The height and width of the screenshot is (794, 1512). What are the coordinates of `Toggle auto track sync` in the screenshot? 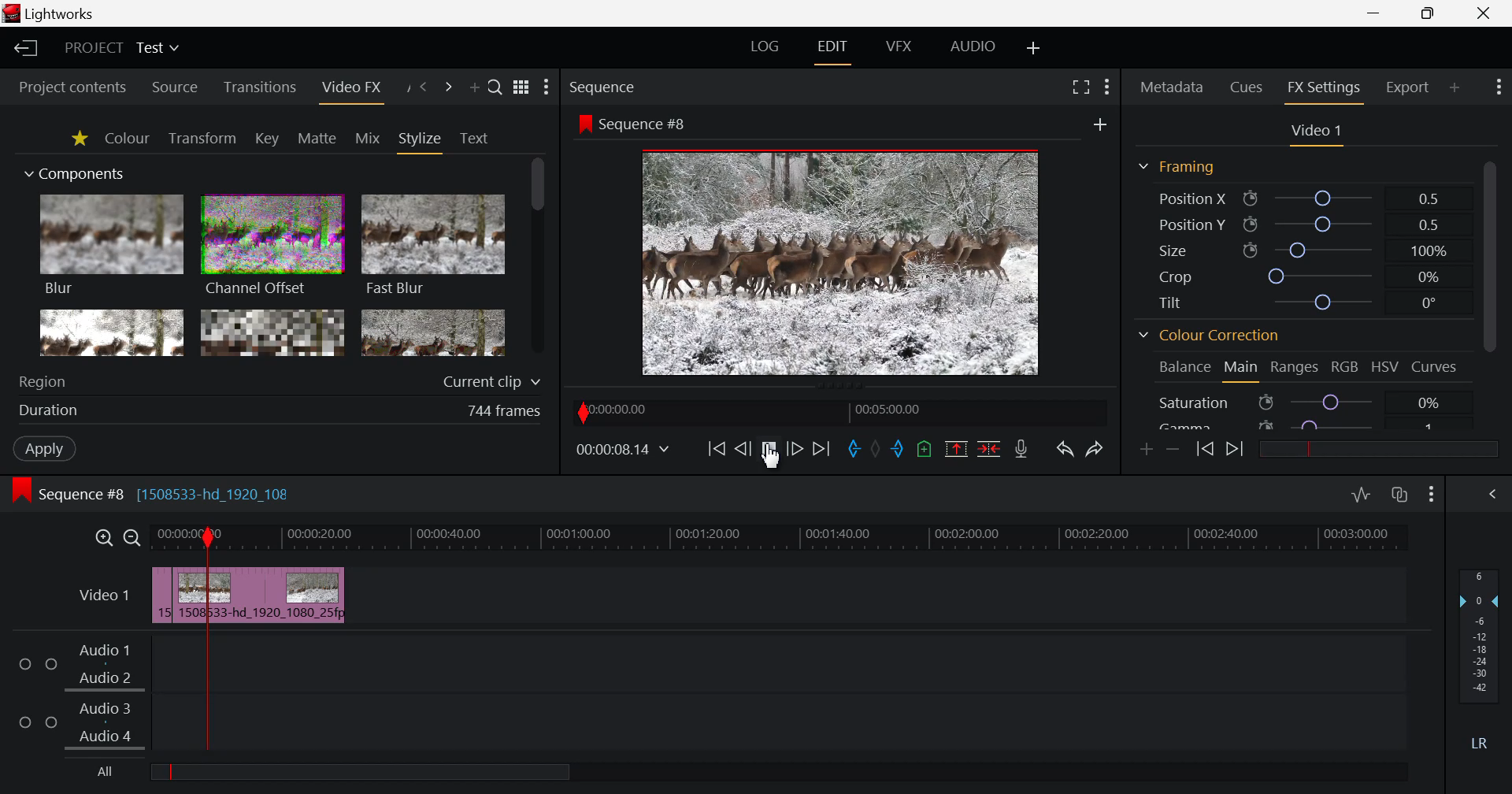 It's located at (1400, 495).